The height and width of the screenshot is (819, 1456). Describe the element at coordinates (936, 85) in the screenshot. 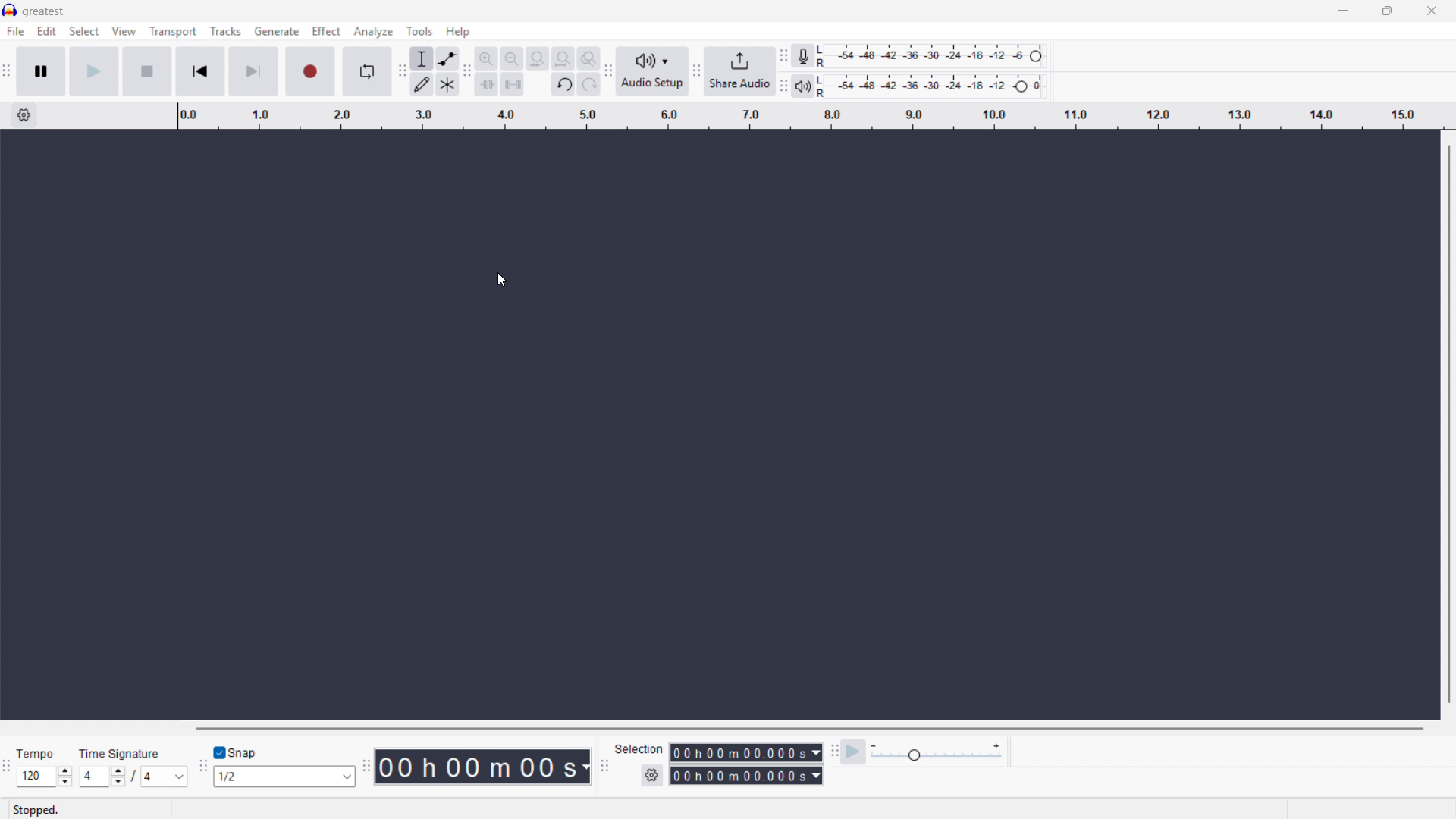

I see `Playback level ` at that location.